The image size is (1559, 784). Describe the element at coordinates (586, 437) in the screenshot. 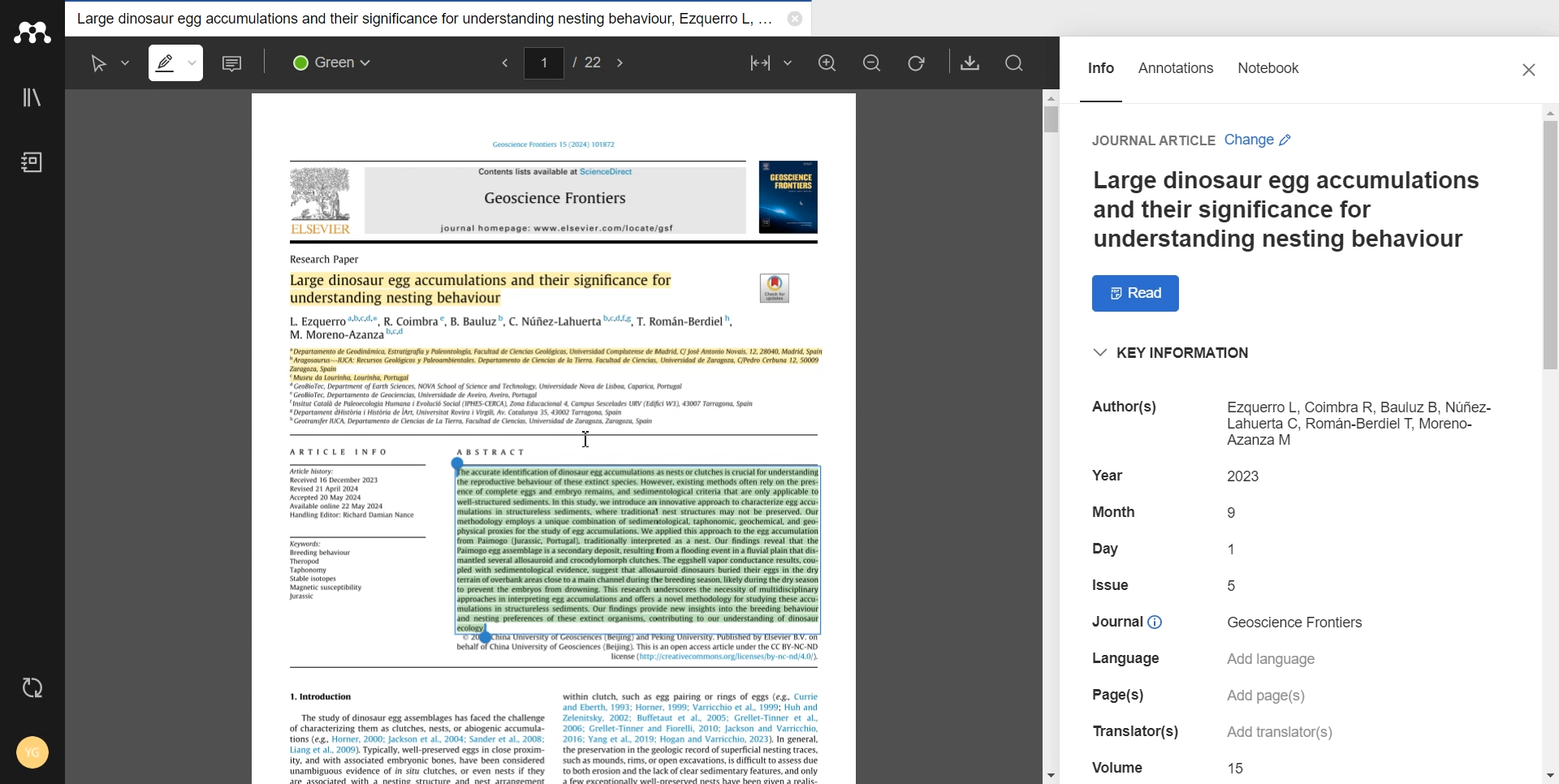

I see `Text cursor` at that location.